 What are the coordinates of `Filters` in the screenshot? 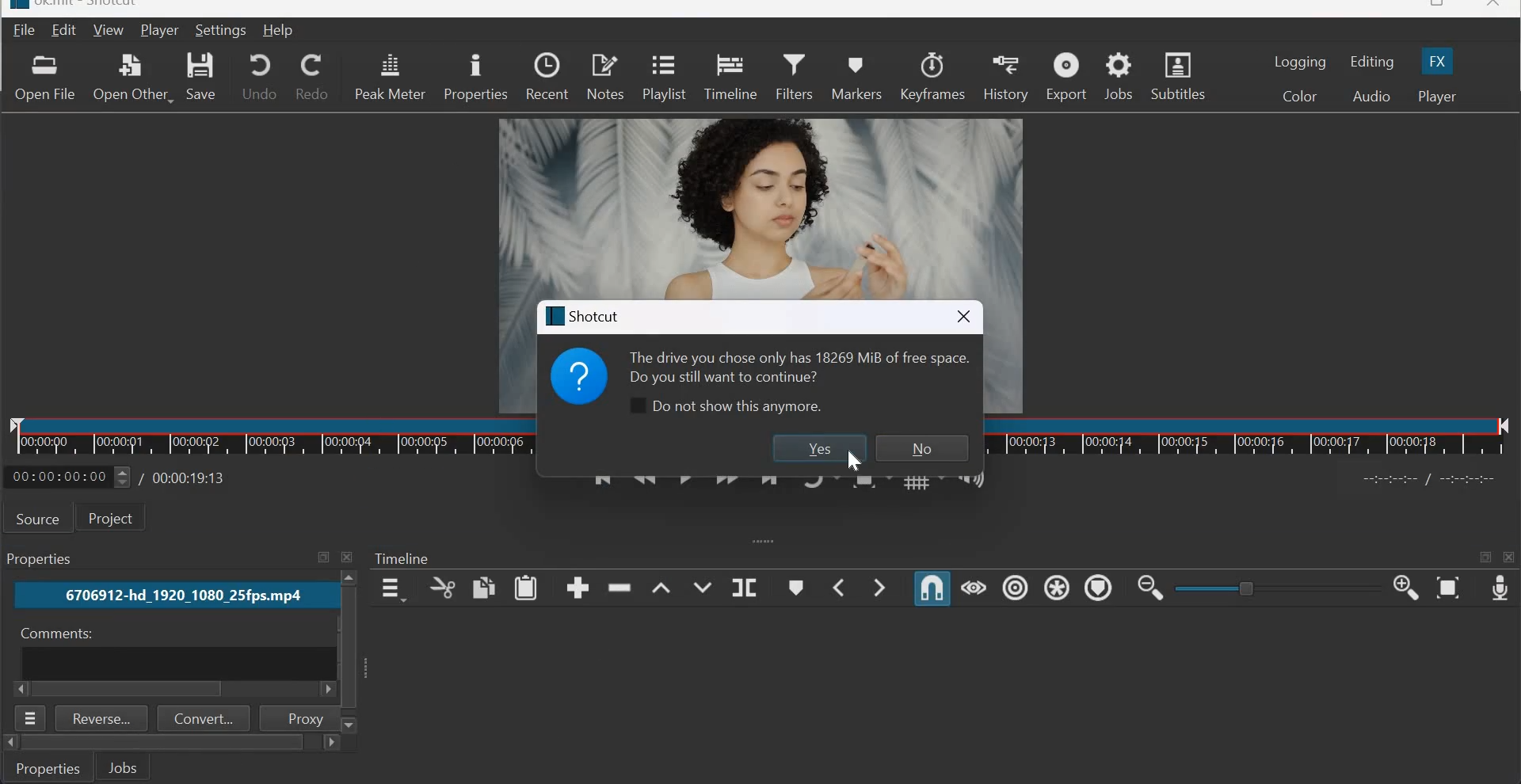 It's located at (794, 77).